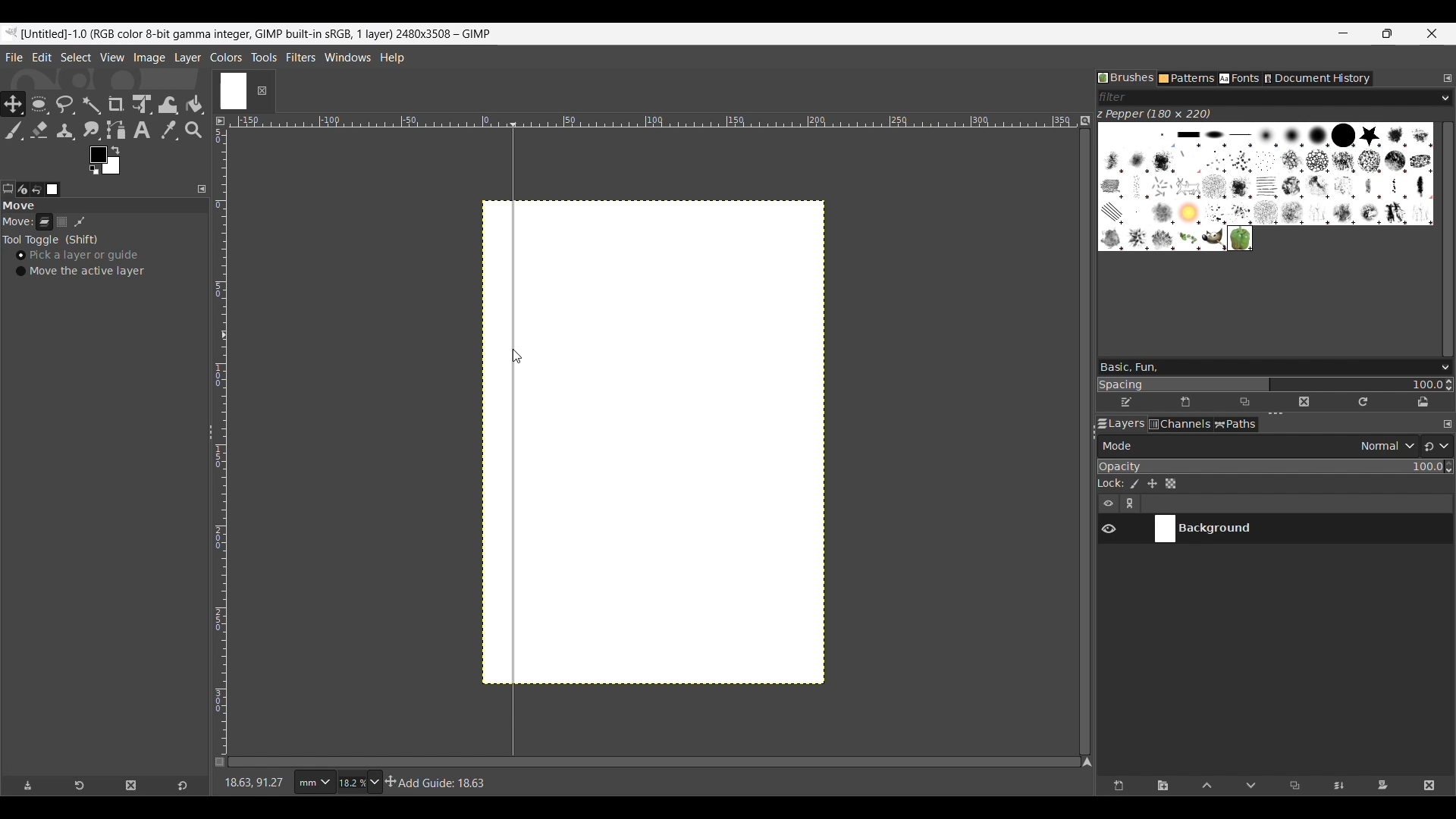  Describe the element at coordinates (1244, 403) in the screenshot. I see `Duplicate this brush` at that location.